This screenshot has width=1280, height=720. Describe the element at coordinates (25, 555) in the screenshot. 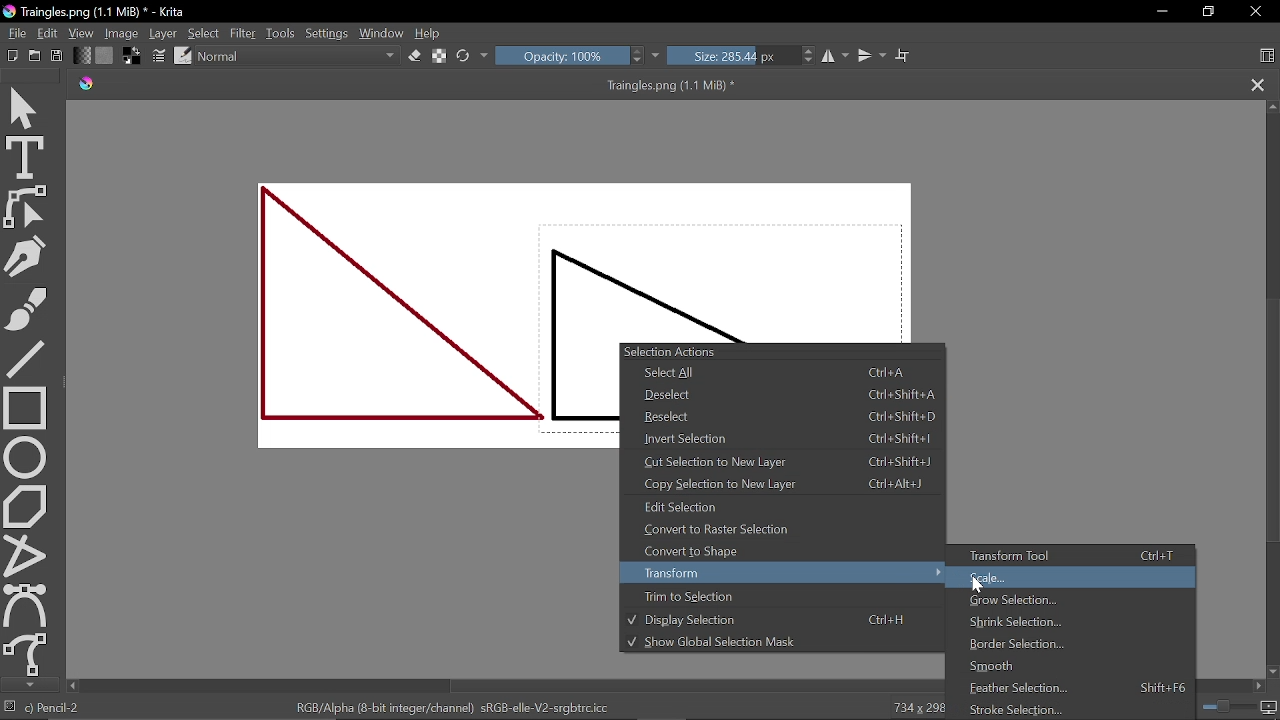

I see `Polyline tool` at that location.